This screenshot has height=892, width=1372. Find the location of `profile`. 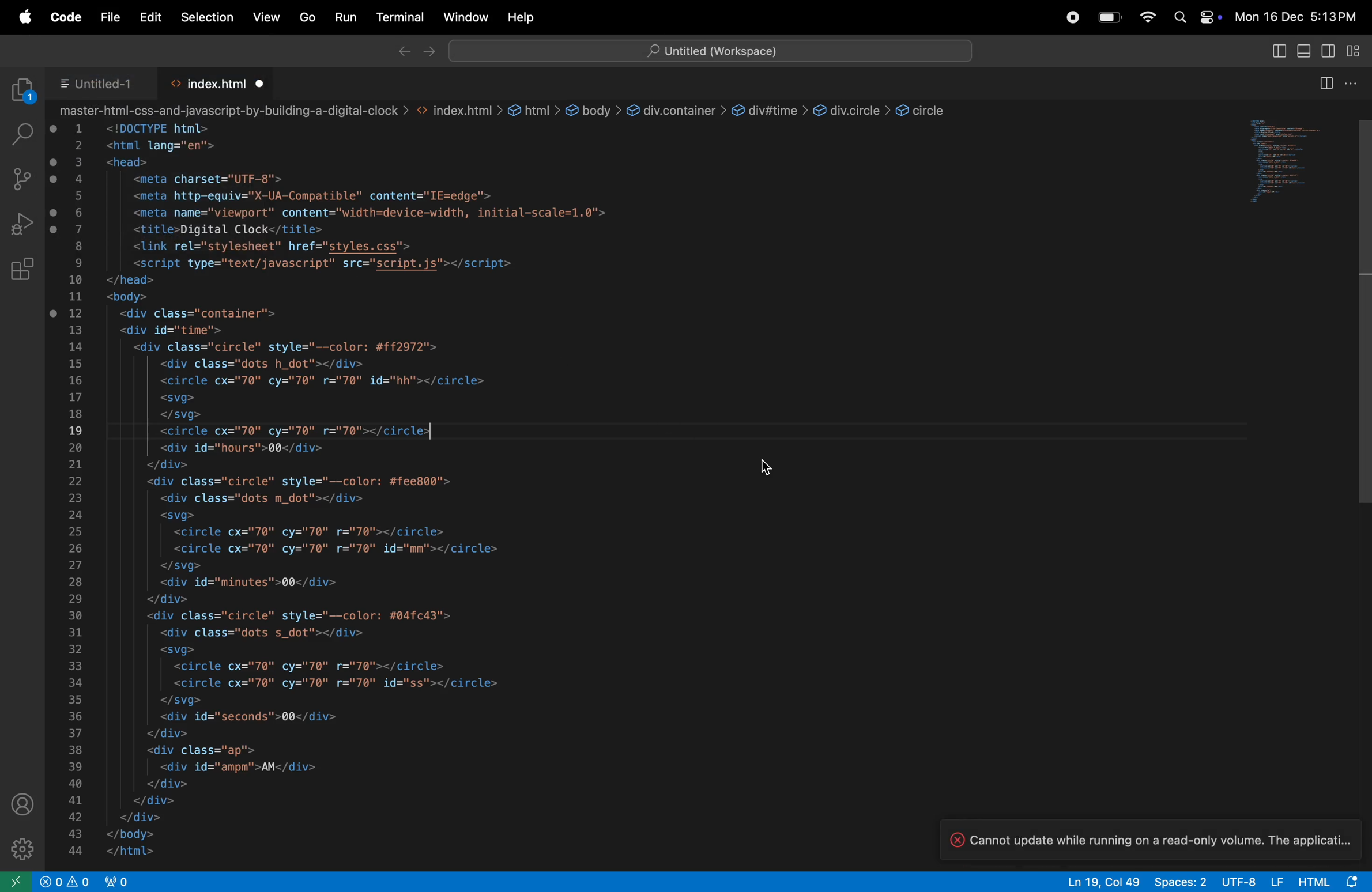

profile is located at coordinates (22, 806).